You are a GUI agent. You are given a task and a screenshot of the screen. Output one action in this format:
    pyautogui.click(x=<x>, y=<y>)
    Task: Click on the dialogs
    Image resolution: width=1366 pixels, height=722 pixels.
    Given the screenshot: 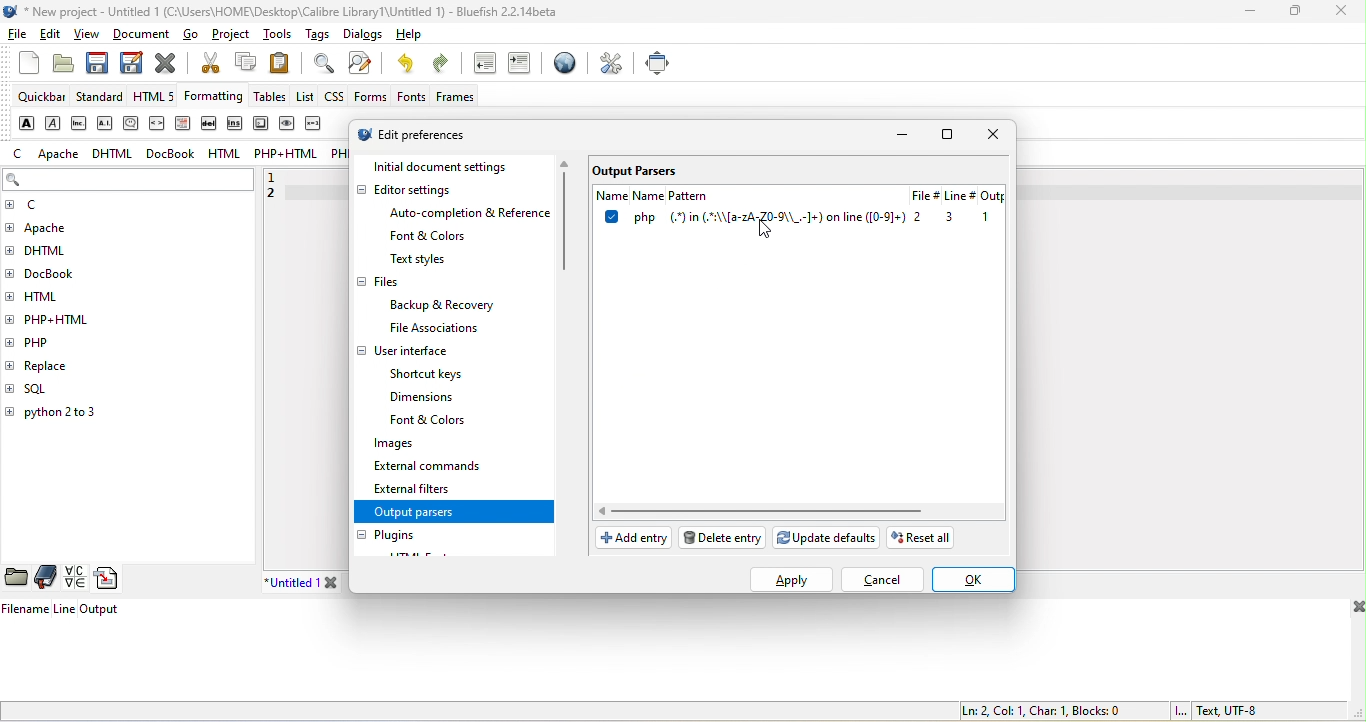 What is the action you would take?
    pyautogui.click(x=359, y=36)
    